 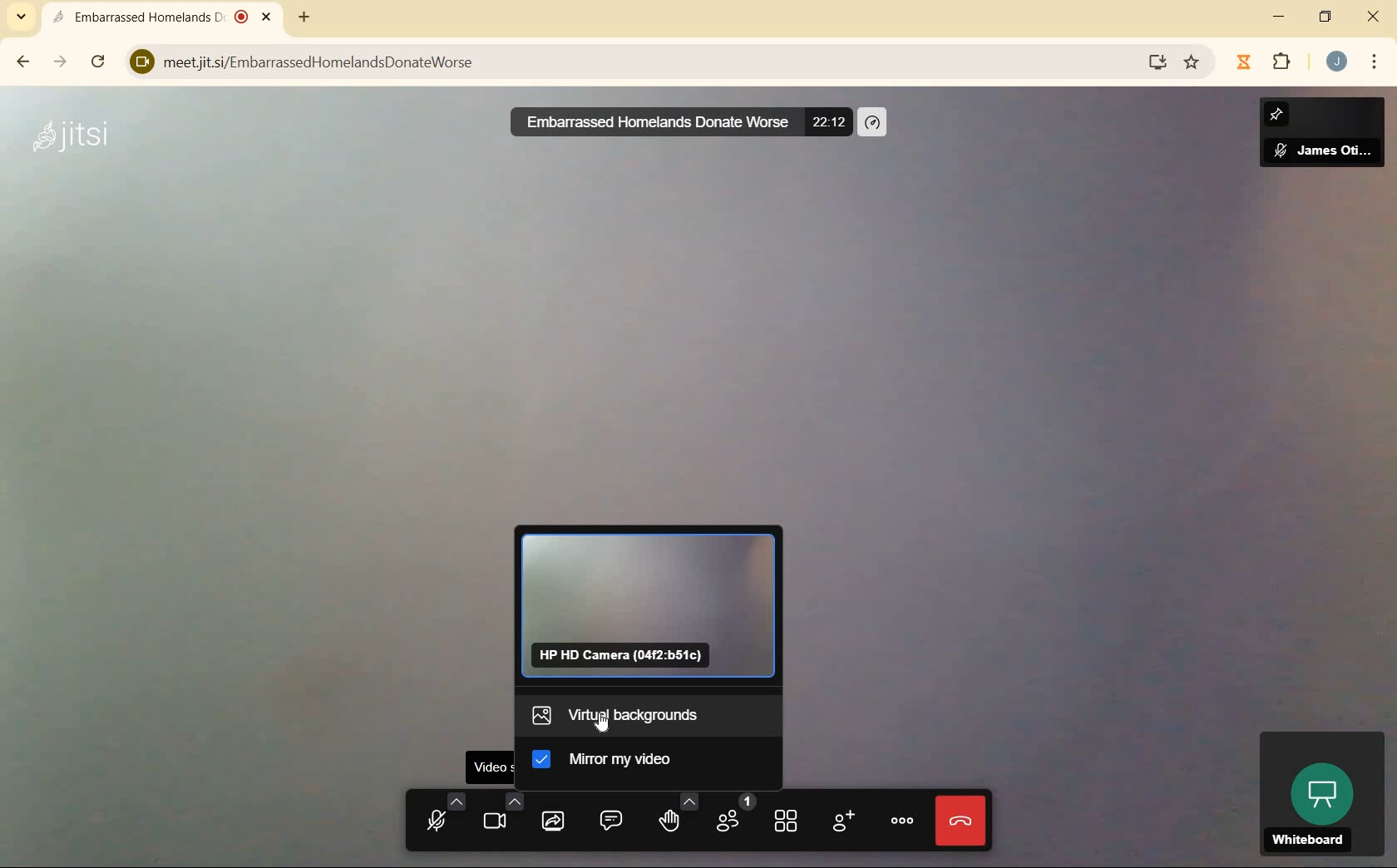 What do you see at coordinates (1322, 138) in the screenshot?
I see `James ` at bounding box center [1322, 138].